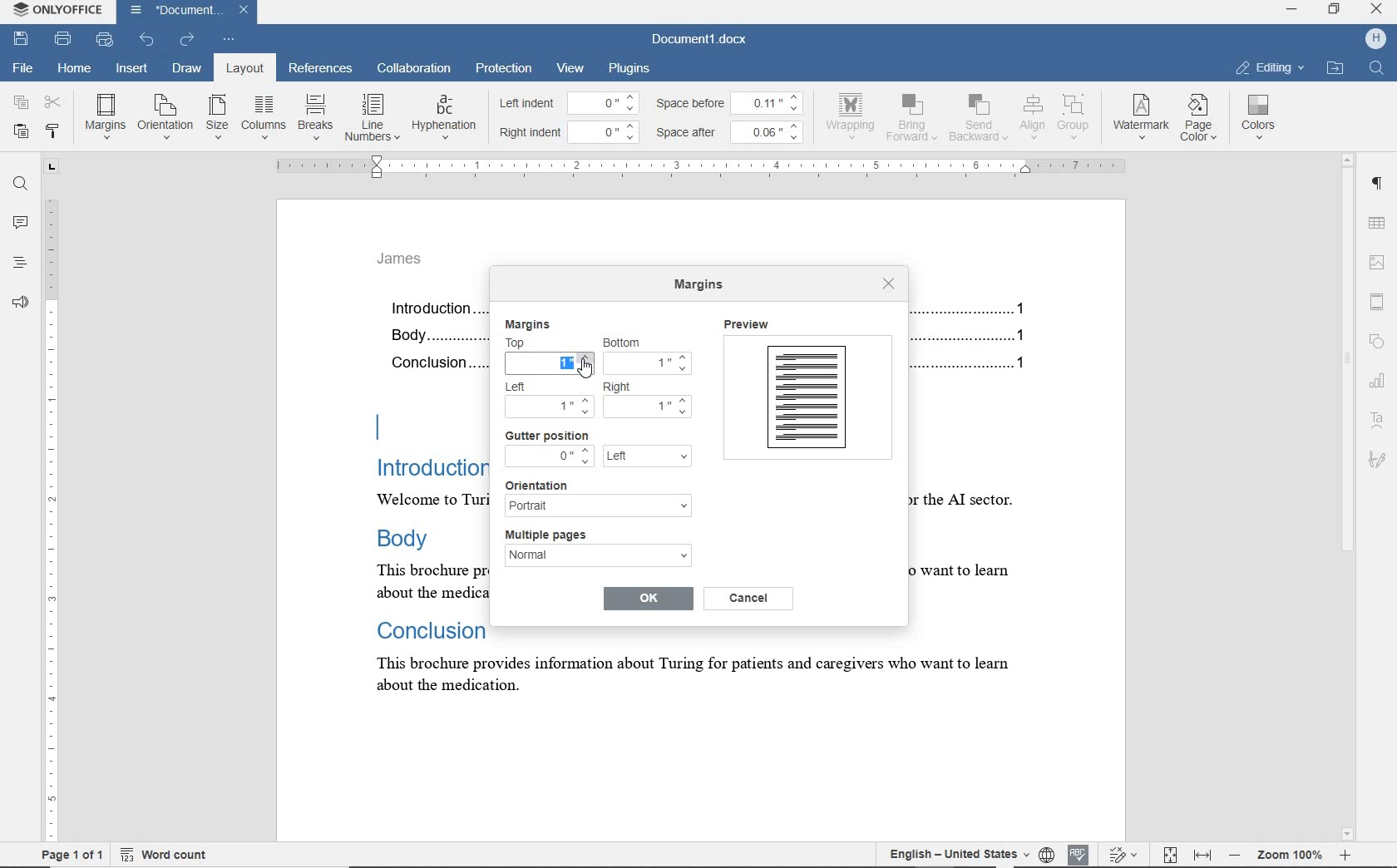 The width and height of the screenshot is (1397, 868). Describe the element at coordinates (690, 133) in the screenshot. I see `space after` at that location.